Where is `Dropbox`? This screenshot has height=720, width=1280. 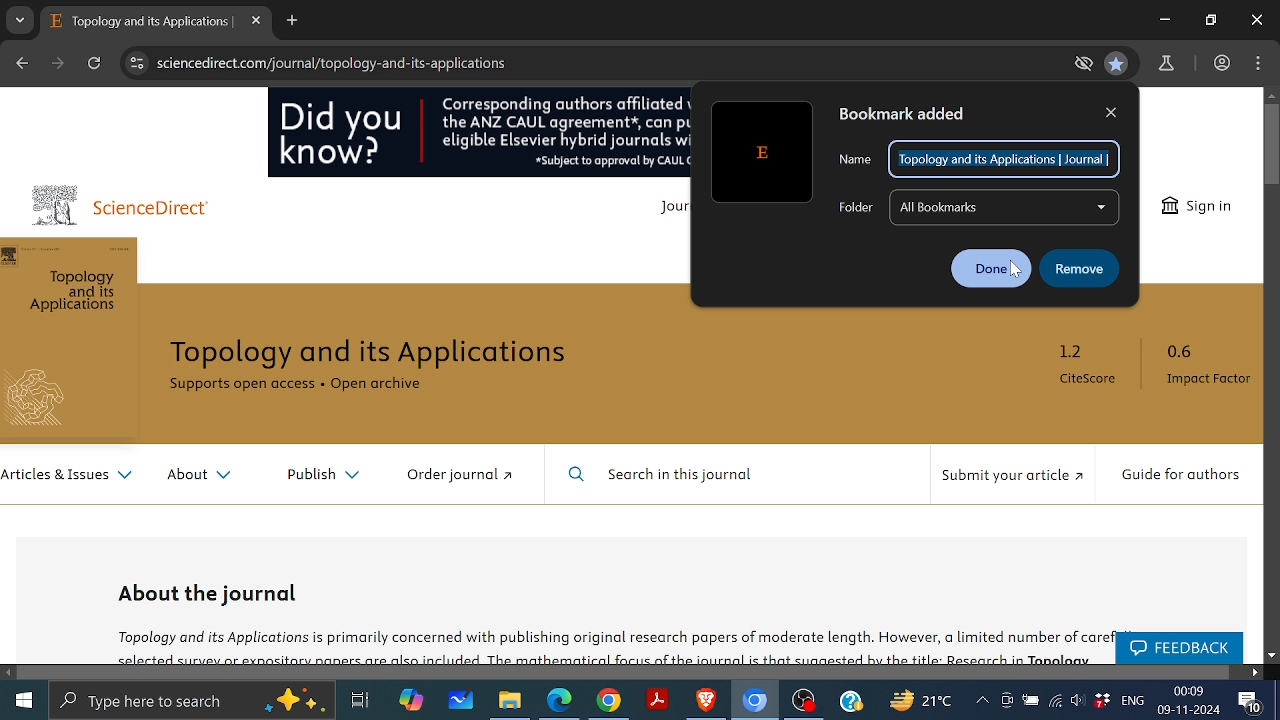
Dropbox is located at coordinates (1101, 699).